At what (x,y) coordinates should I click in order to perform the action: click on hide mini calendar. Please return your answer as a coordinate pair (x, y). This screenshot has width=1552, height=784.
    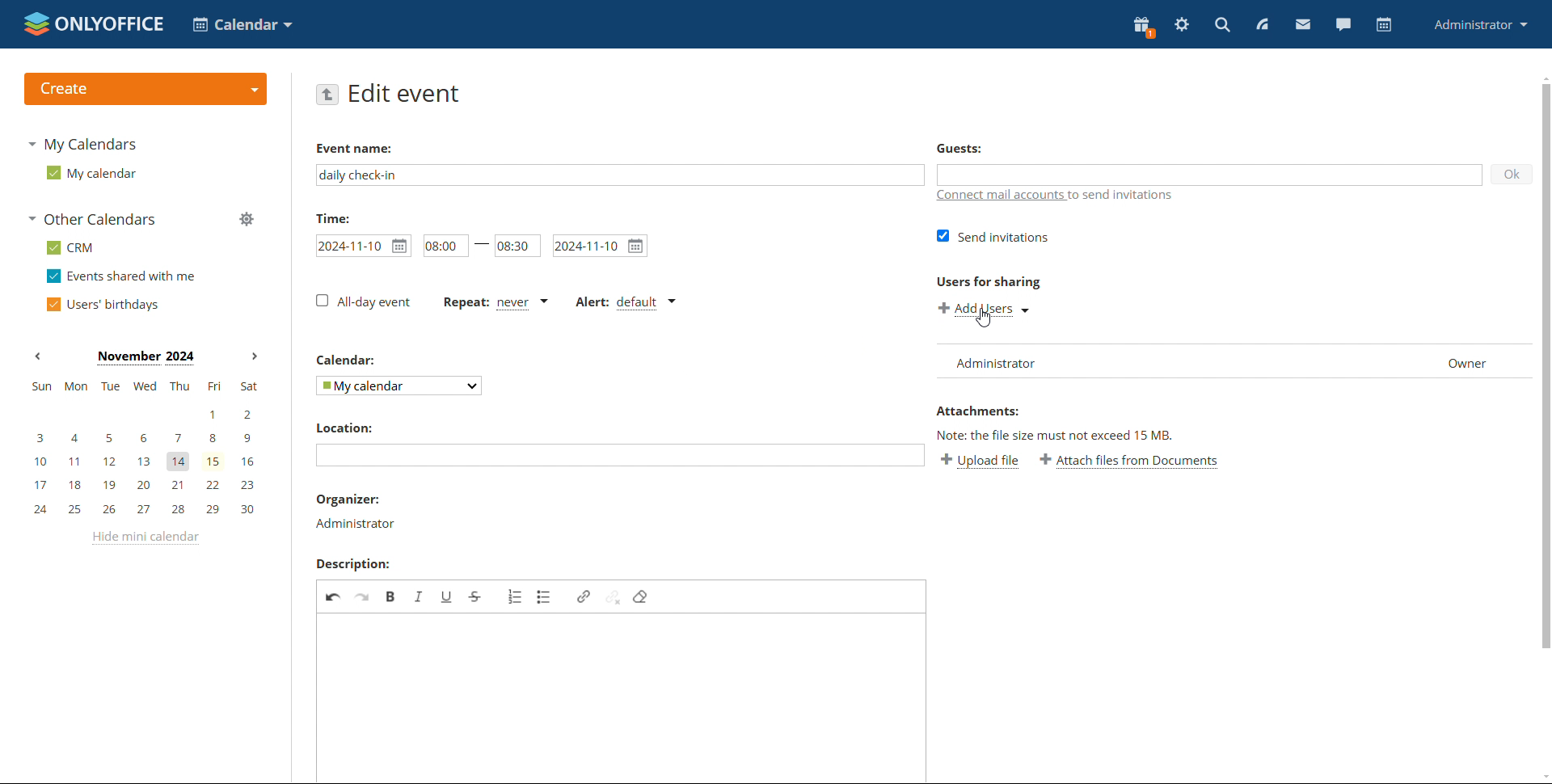
    Looking at the image, I should click on (143, 538).